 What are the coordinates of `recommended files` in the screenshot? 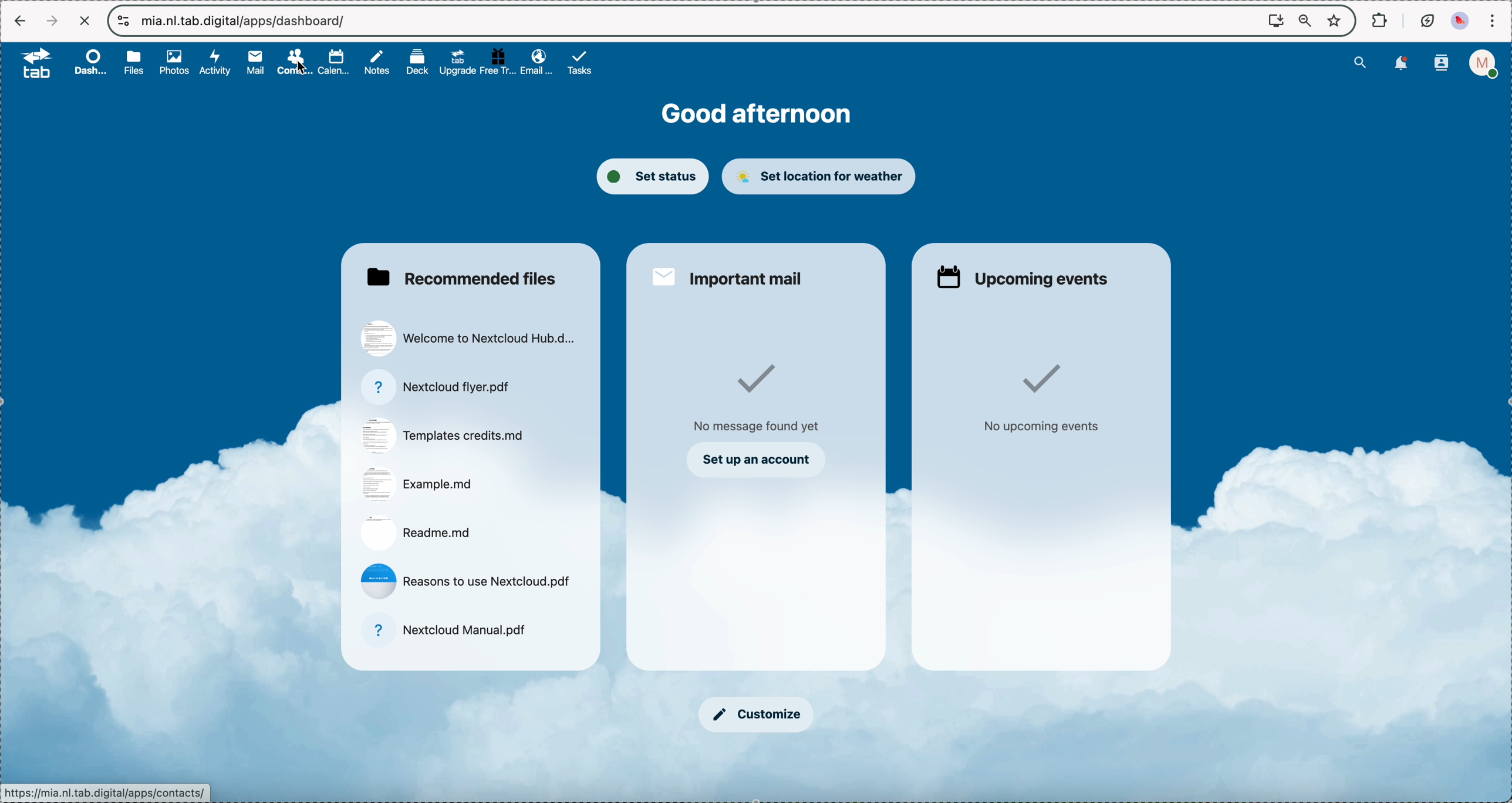 It's located at (461, 276).